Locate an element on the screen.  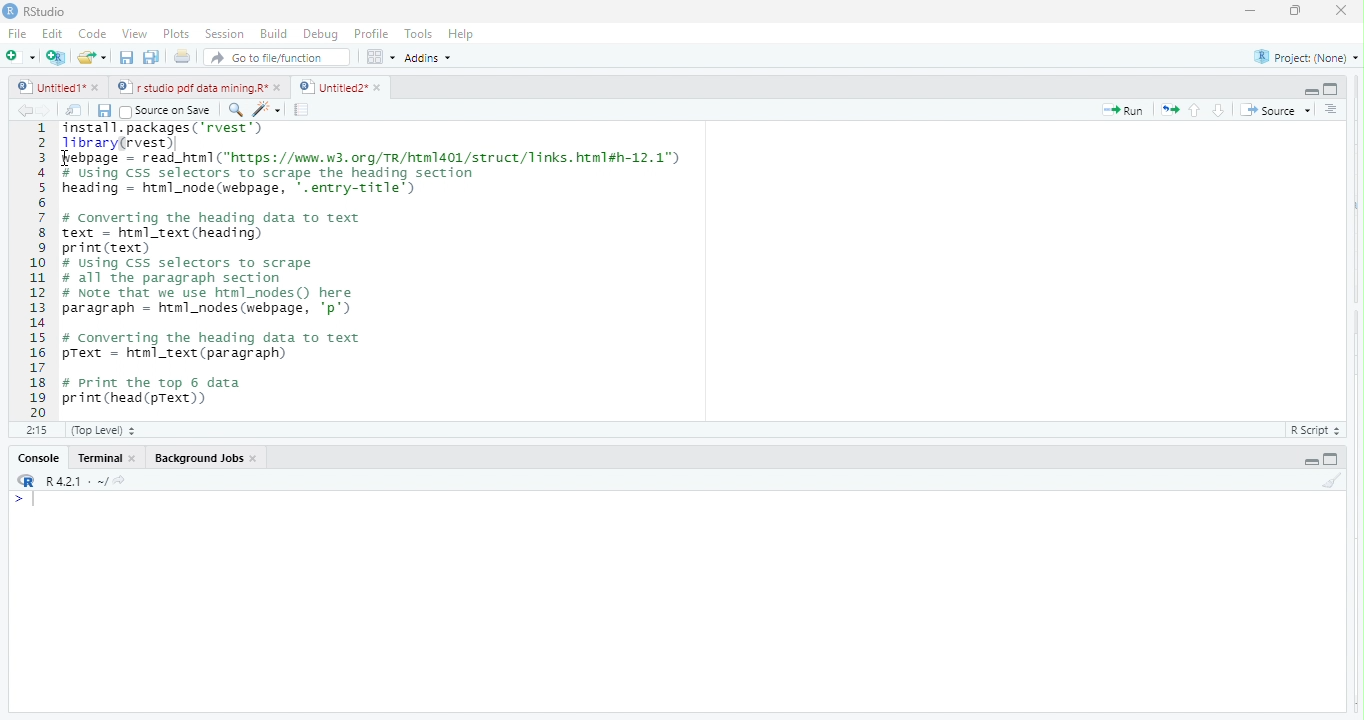
terminal is located at coordinates (102, 458).